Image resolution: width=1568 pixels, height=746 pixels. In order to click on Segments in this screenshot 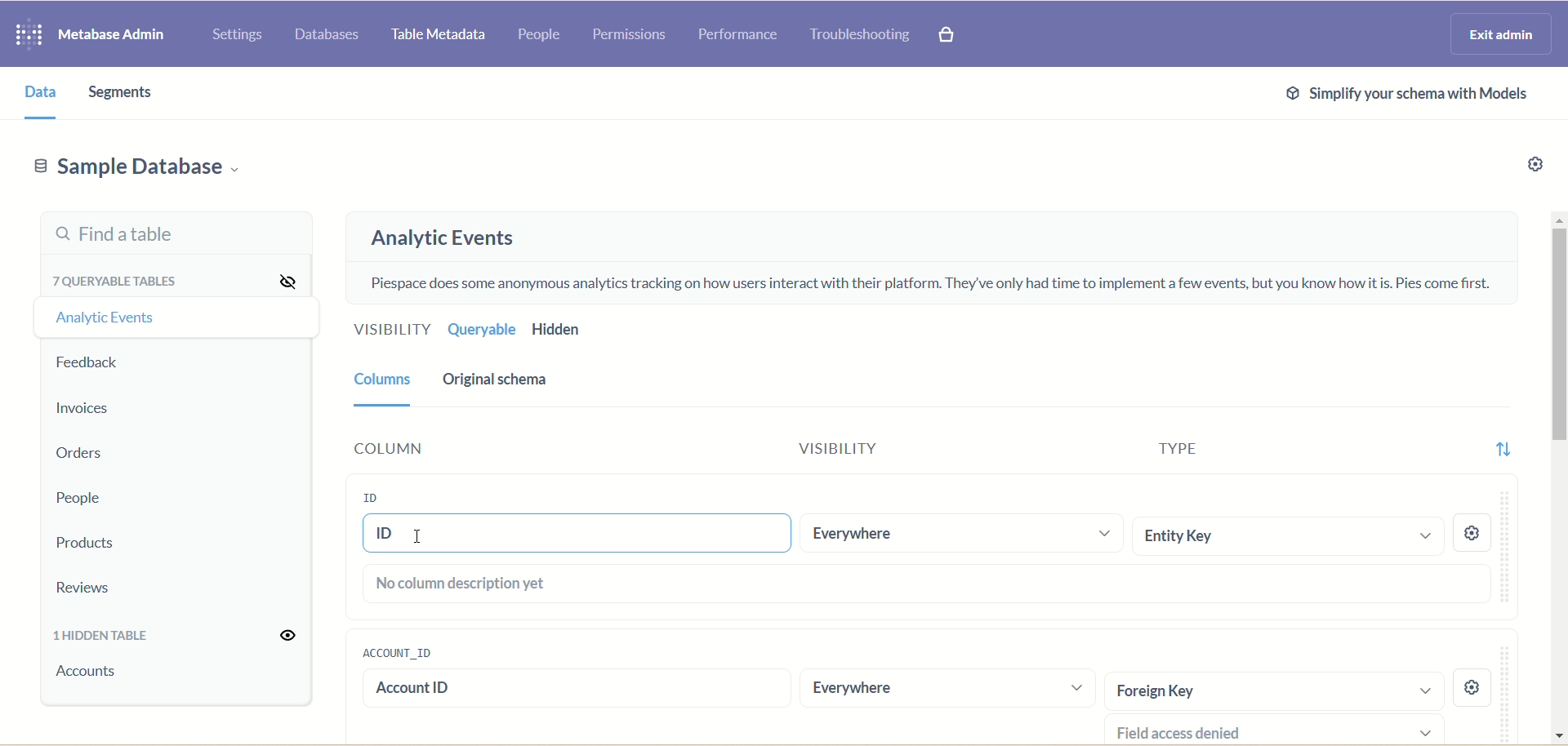, I will do `click(123, 93)`.